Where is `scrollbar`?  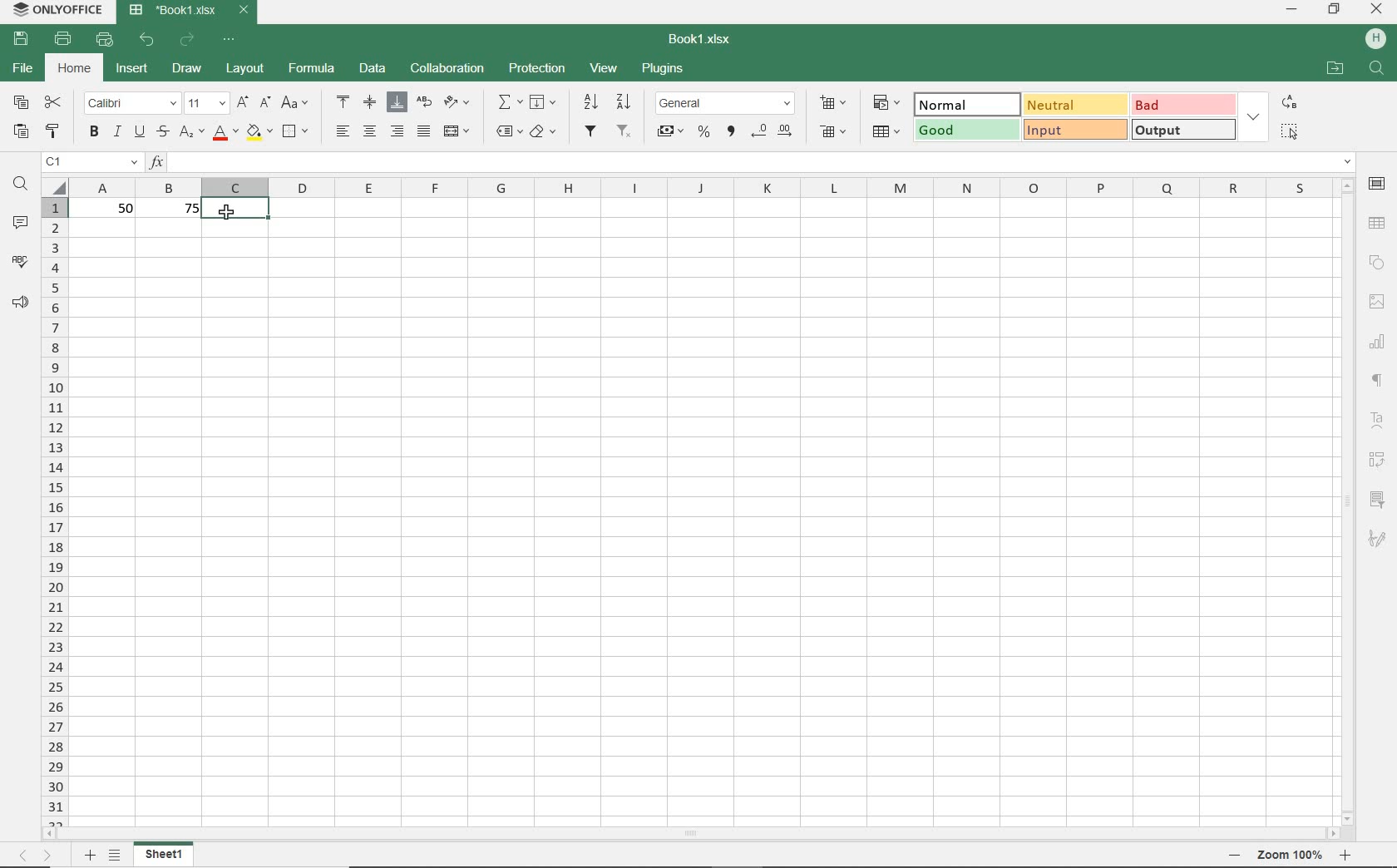 scrollbar is located at coordinates (694, 835).